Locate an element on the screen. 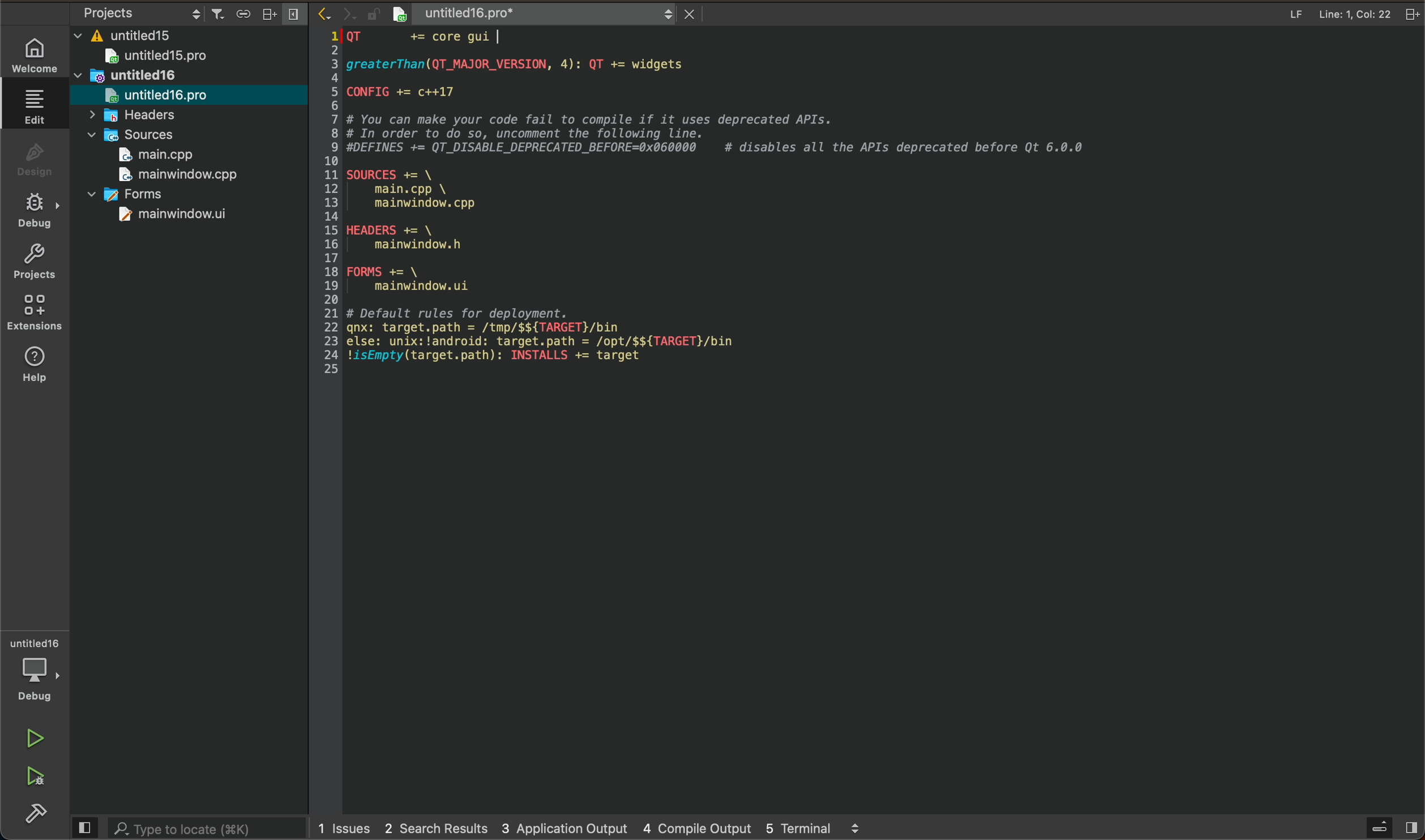  debug is located at coordinates (40, 212).